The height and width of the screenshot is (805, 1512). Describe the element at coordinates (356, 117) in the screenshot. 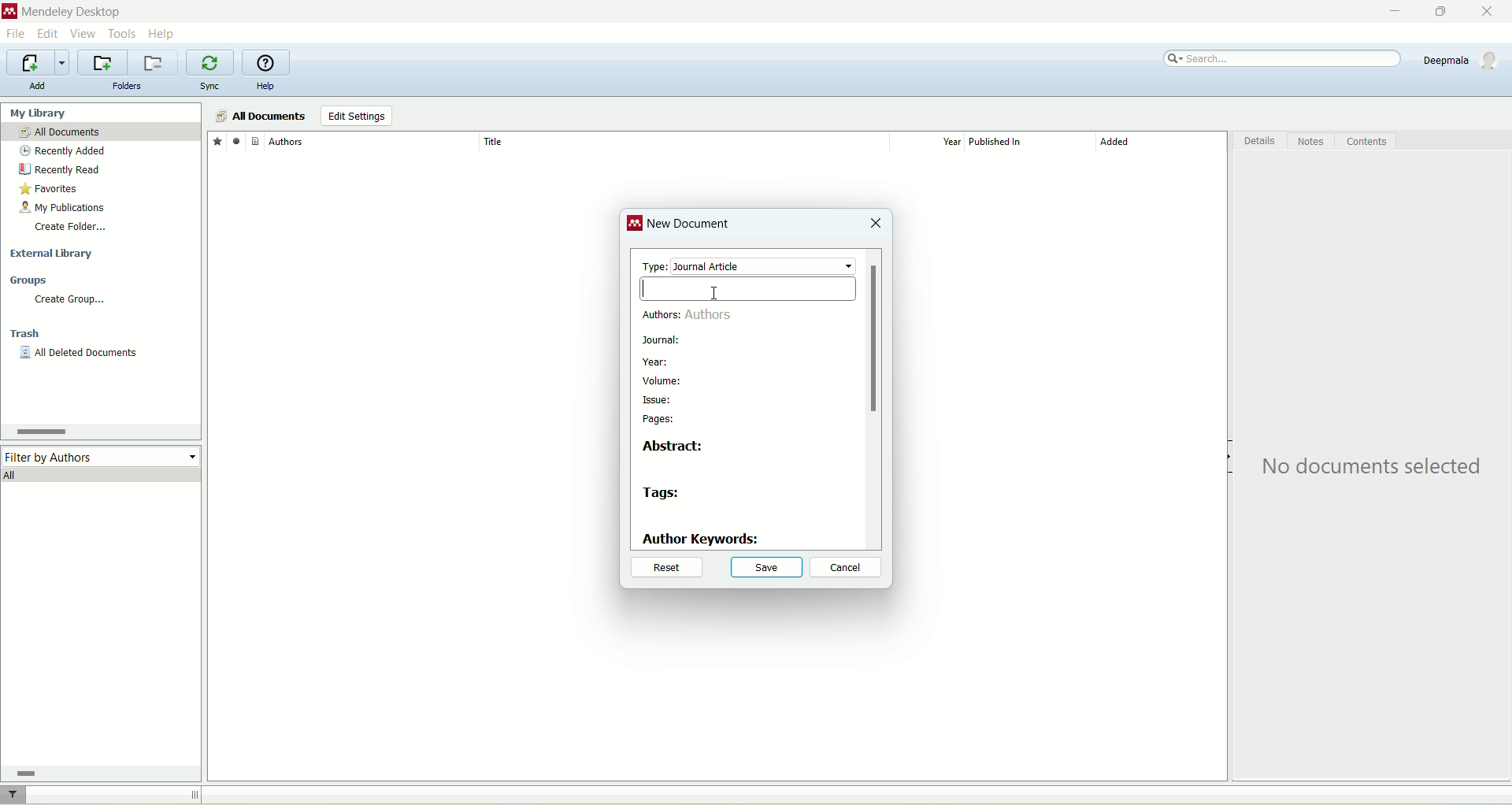

I see `edit settings` at that location.